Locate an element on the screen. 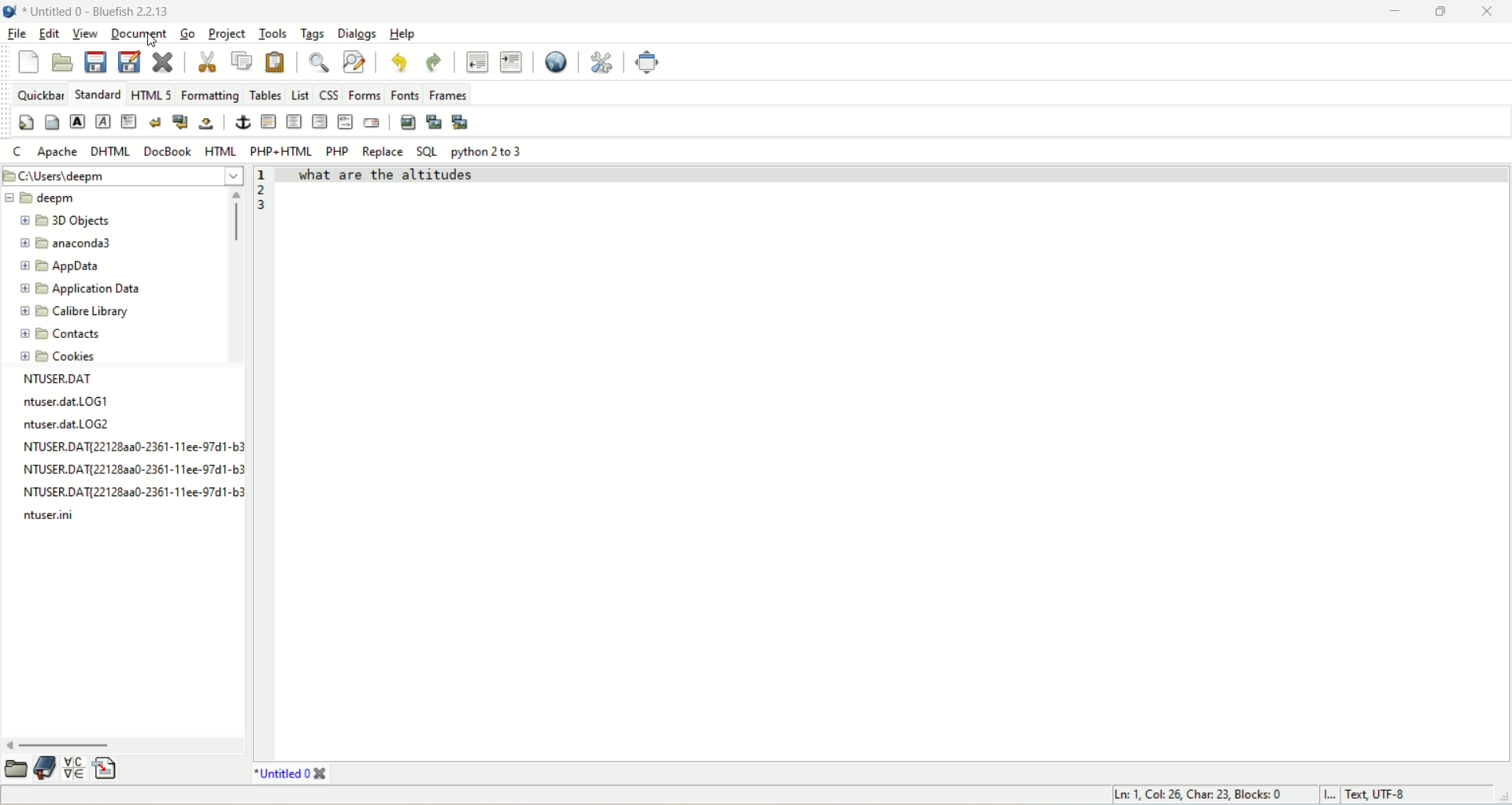  calibre is located at coordinates (76, 313).